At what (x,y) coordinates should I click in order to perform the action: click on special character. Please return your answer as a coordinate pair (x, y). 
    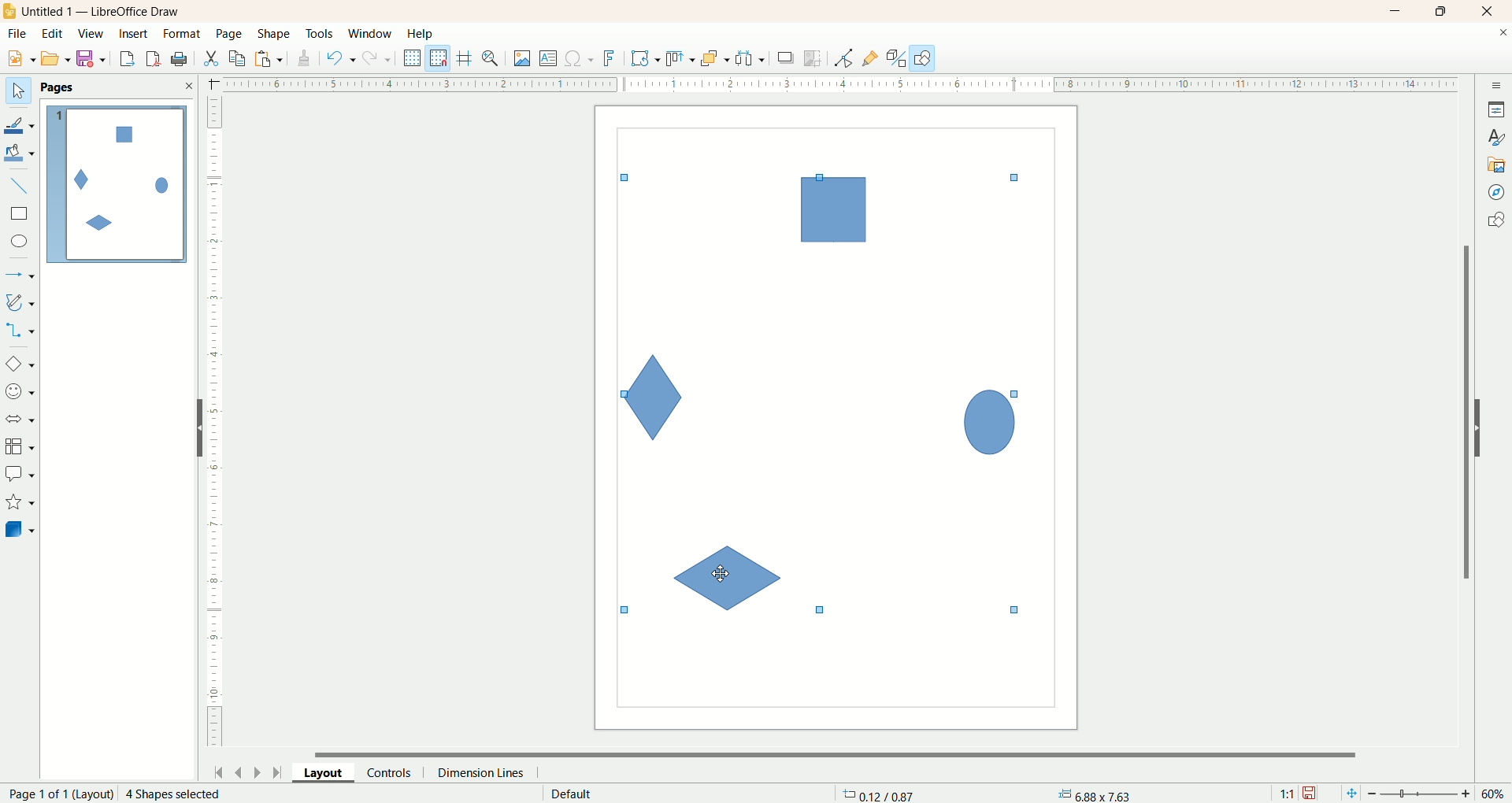
    Looking at the image, I should click on (580, 59).